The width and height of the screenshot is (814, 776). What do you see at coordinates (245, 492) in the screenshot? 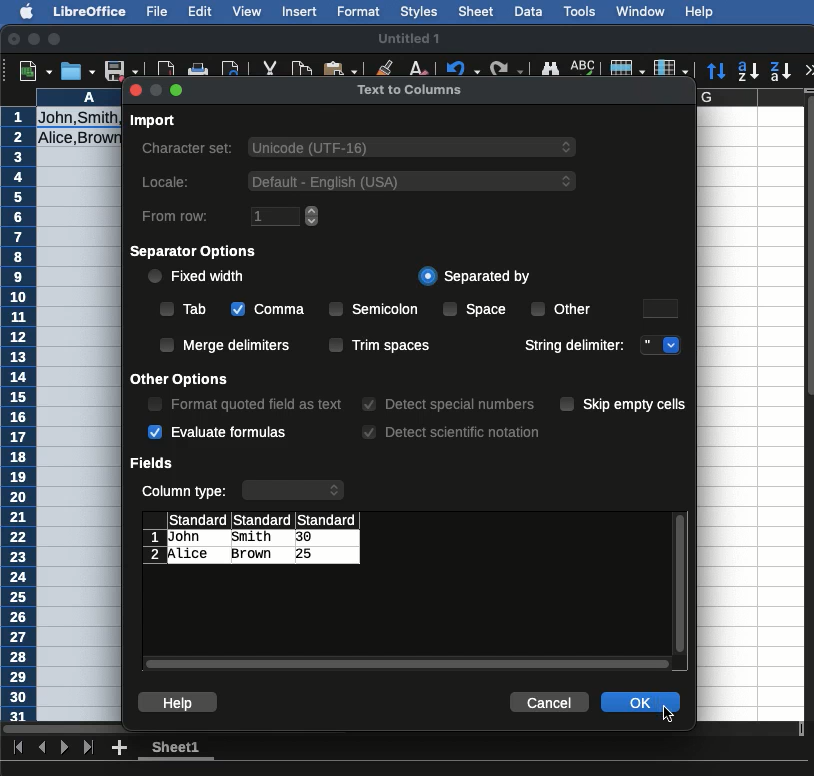
I see `Column type` at bounding box center [245, 492].